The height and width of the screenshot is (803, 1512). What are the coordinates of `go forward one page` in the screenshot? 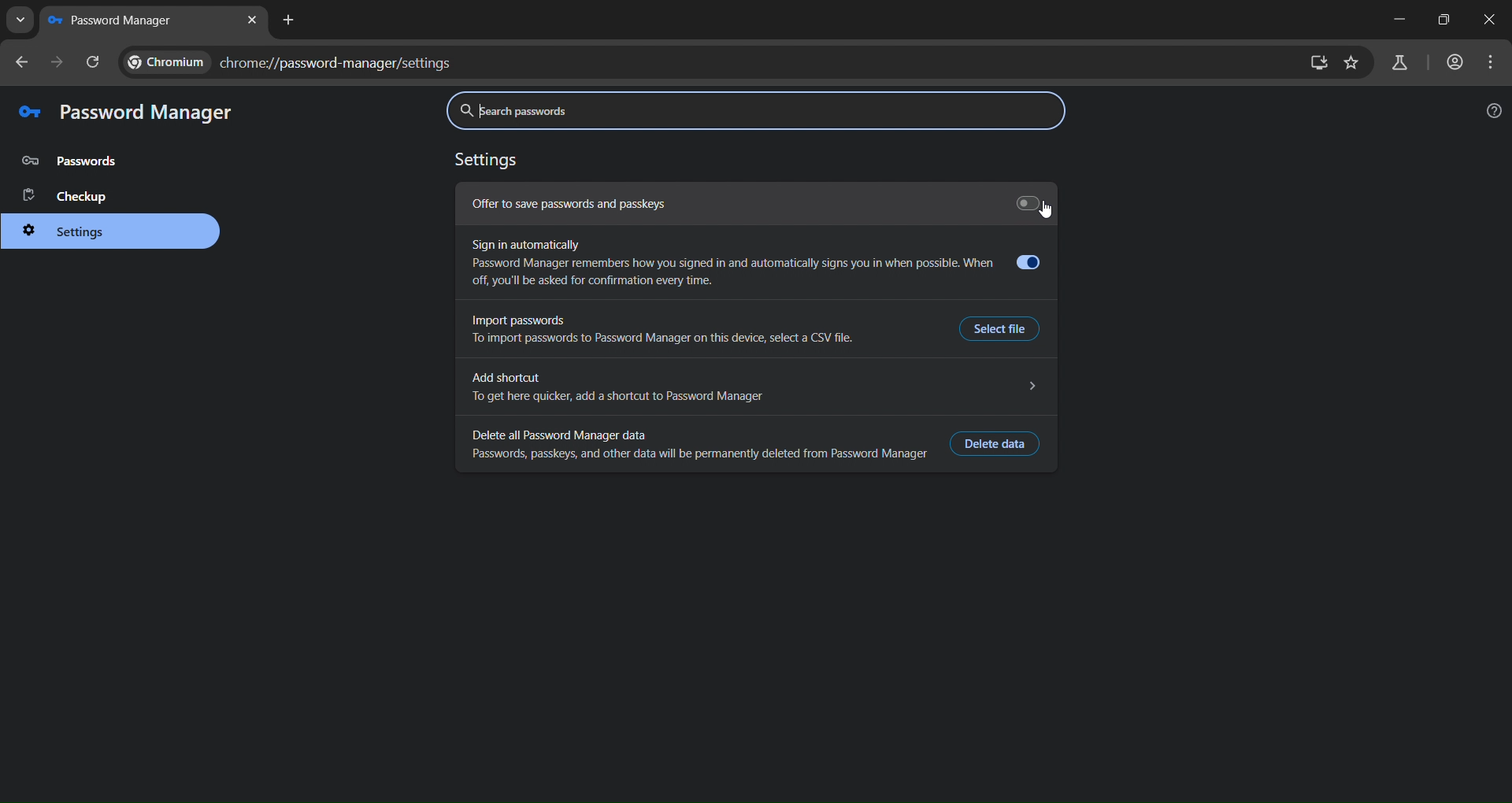 It's located at (54, 61).